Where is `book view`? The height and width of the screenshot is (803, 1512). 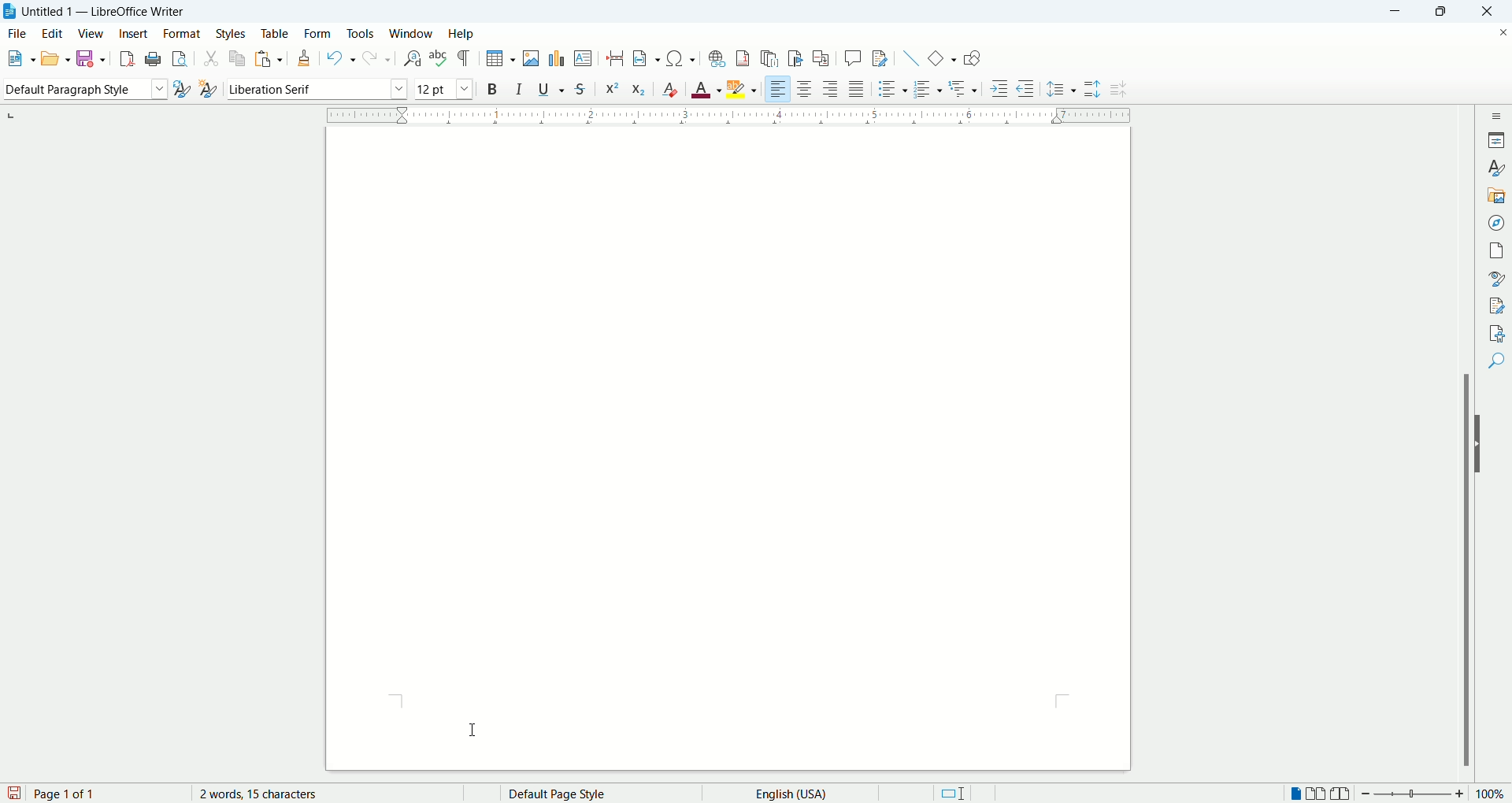
book view is located at coordinates (1341, 794).